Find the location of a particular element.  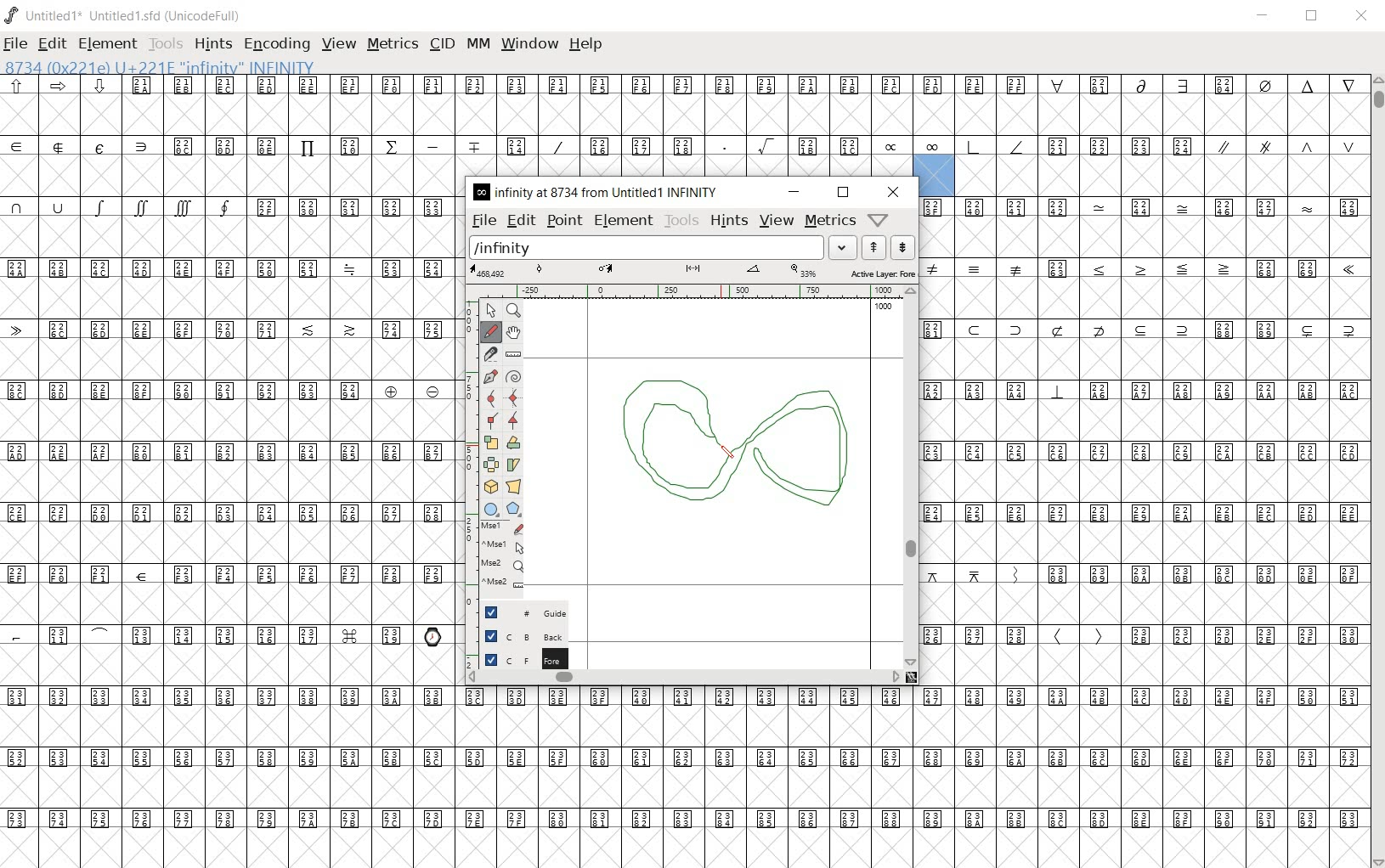

restore down is located at coordinates (843, 193).